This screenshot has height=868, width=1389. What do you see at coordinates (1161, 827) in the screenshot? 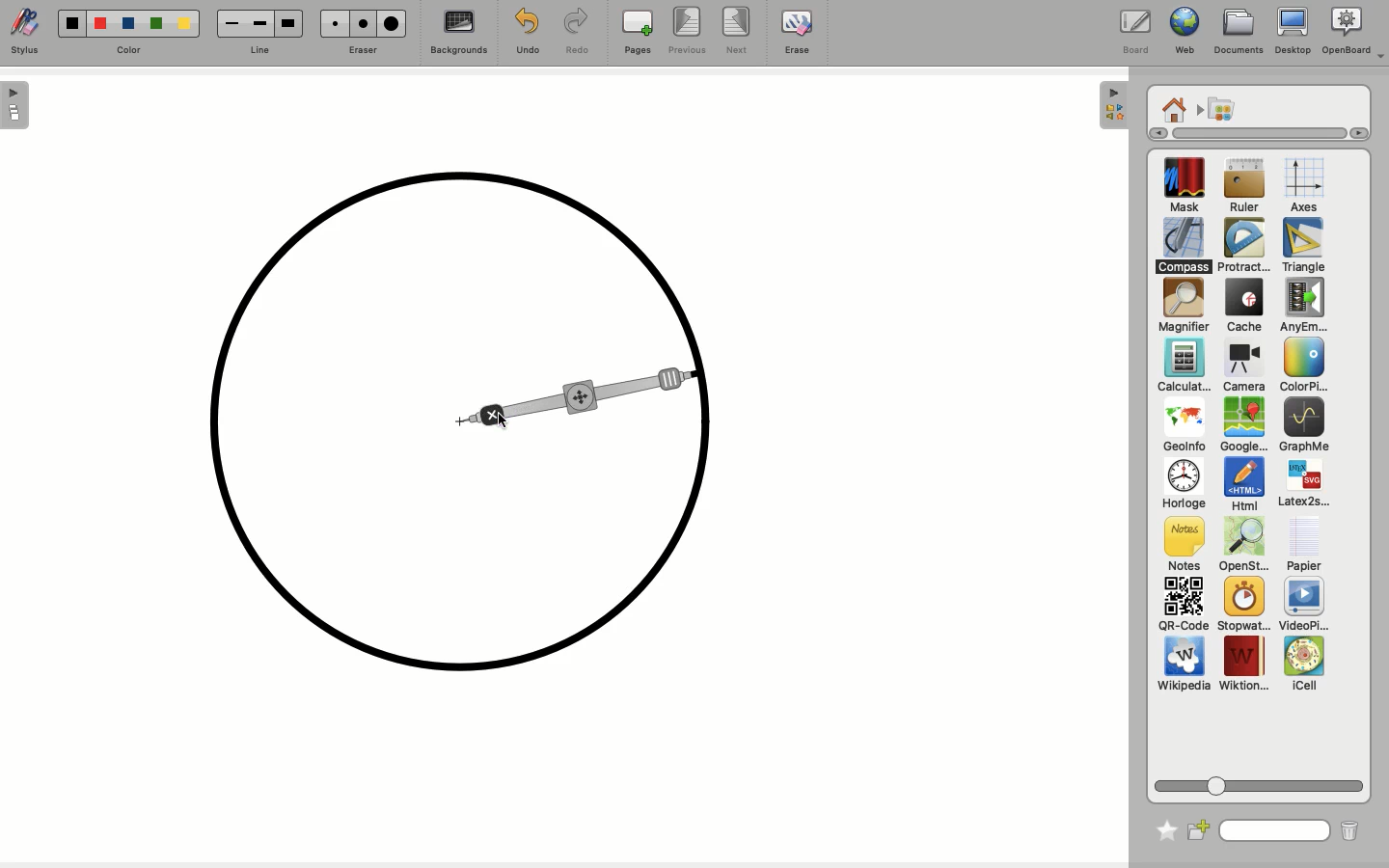
I see `Favorite` at bounding box center [1161, 827].